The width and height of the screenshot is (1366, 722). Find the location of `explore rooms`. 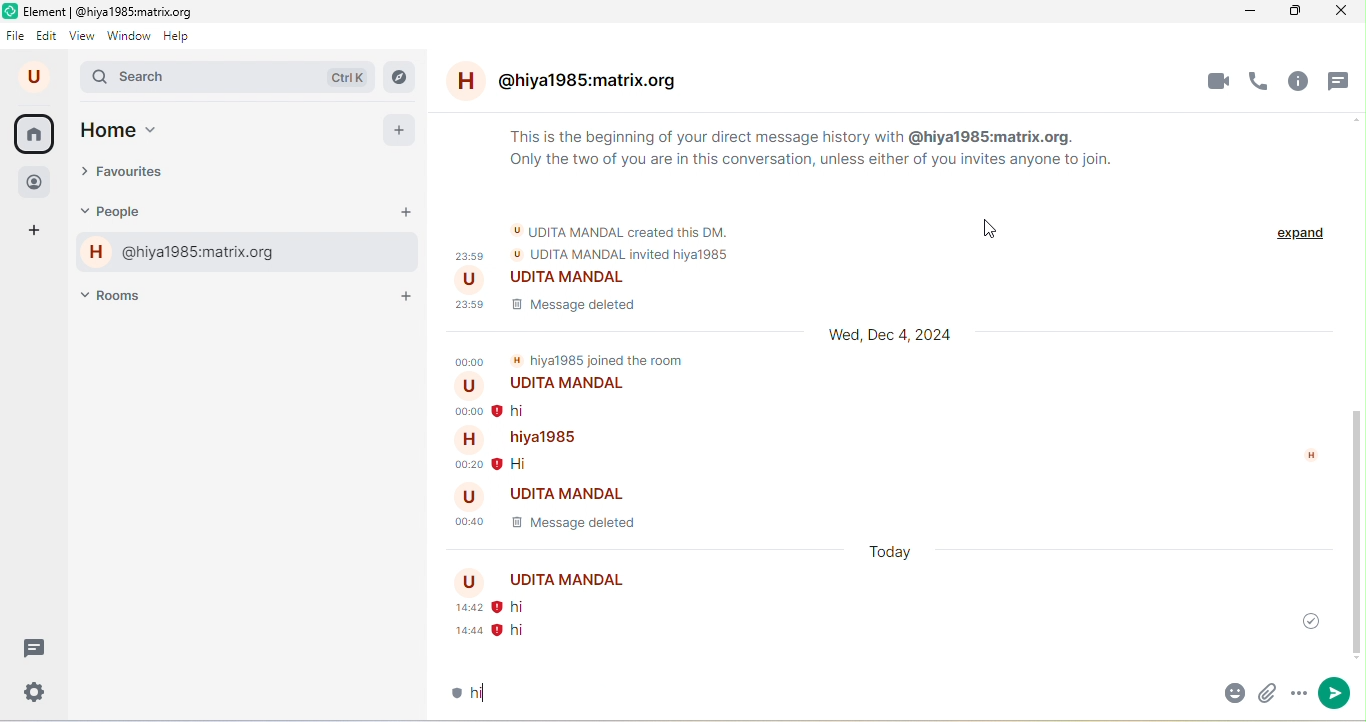

explore rooms is located at coordinates (400, 77).